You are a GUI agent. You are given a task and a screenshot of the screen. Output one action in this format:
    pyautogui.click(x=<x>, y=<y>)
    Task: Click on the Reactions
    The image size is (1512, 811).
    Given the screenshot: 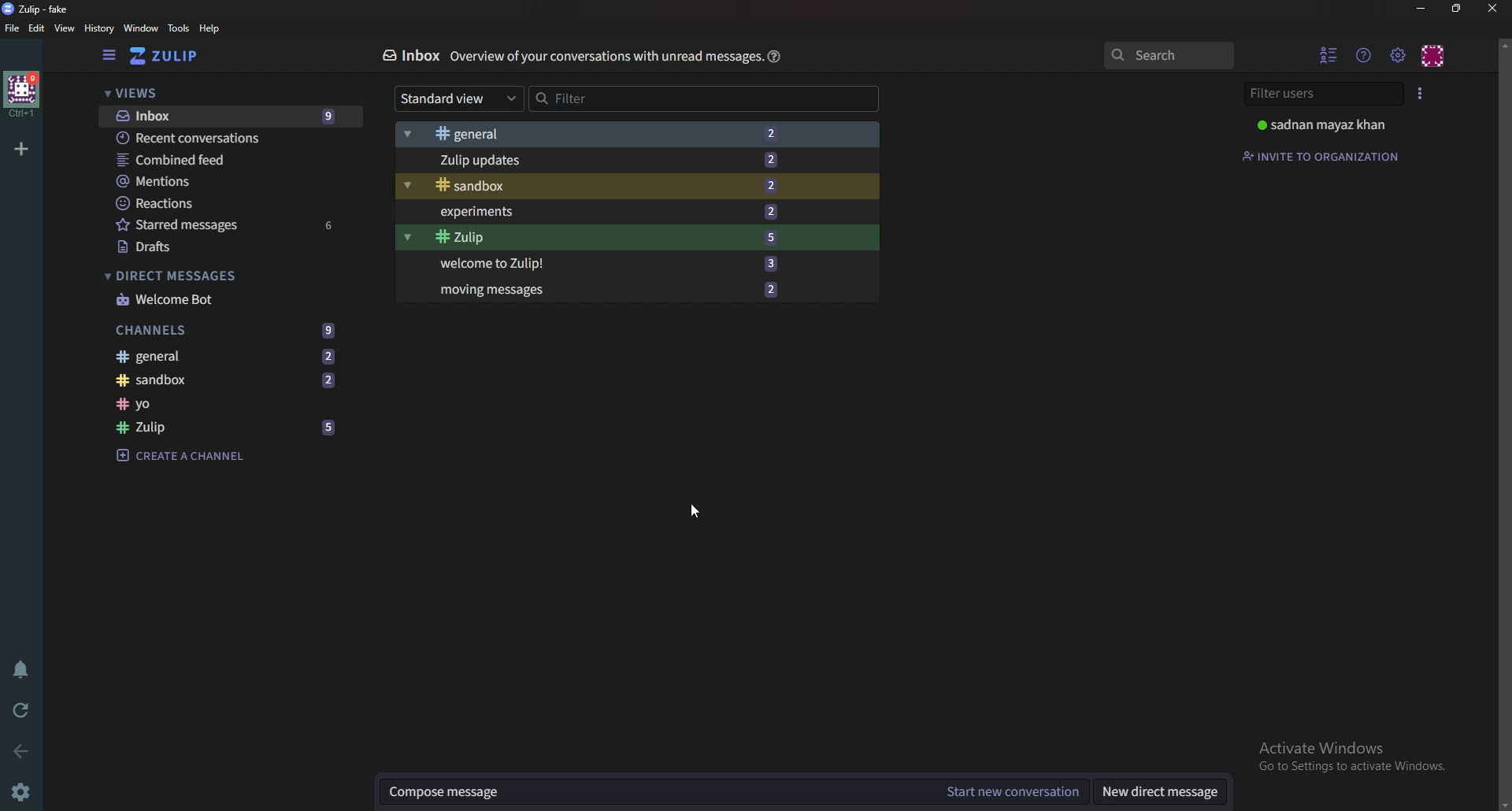 What is the action you would take?
    pyautogui.click(x=220, y=204)
    